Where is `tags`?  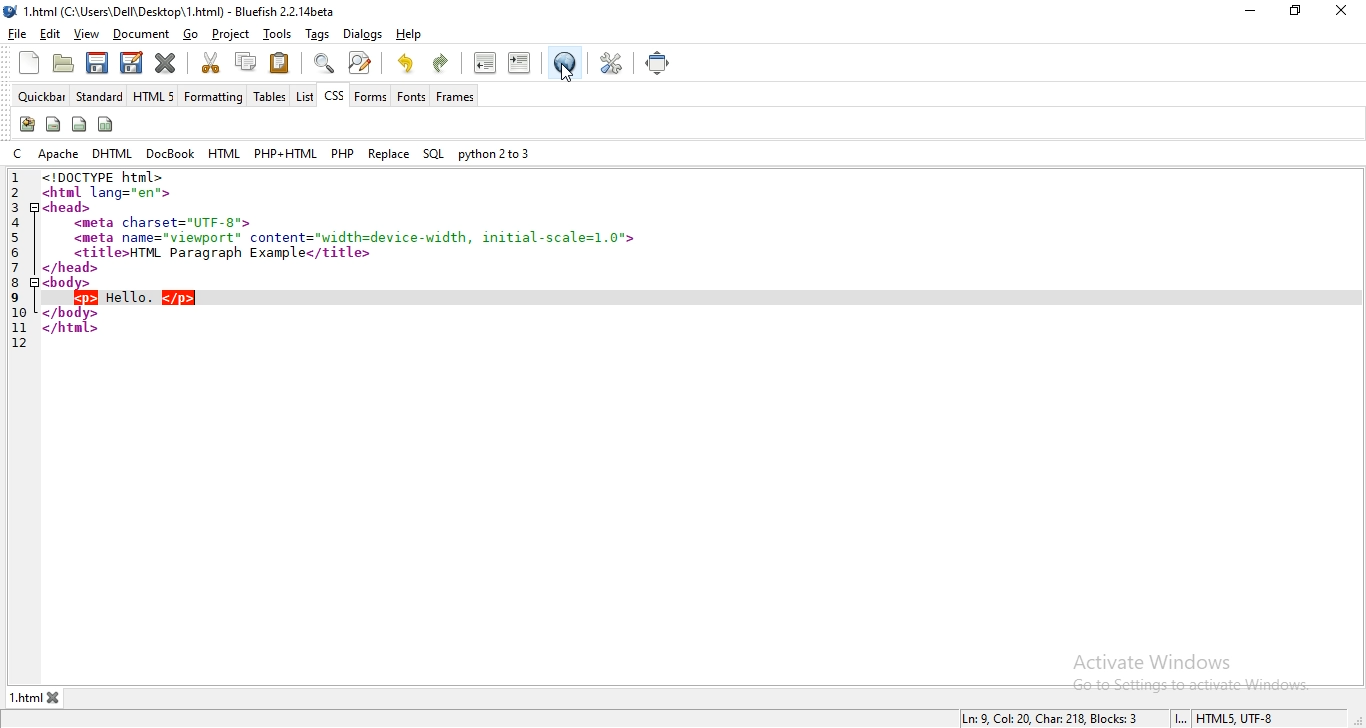 tags is located at coordinates (316, 33).